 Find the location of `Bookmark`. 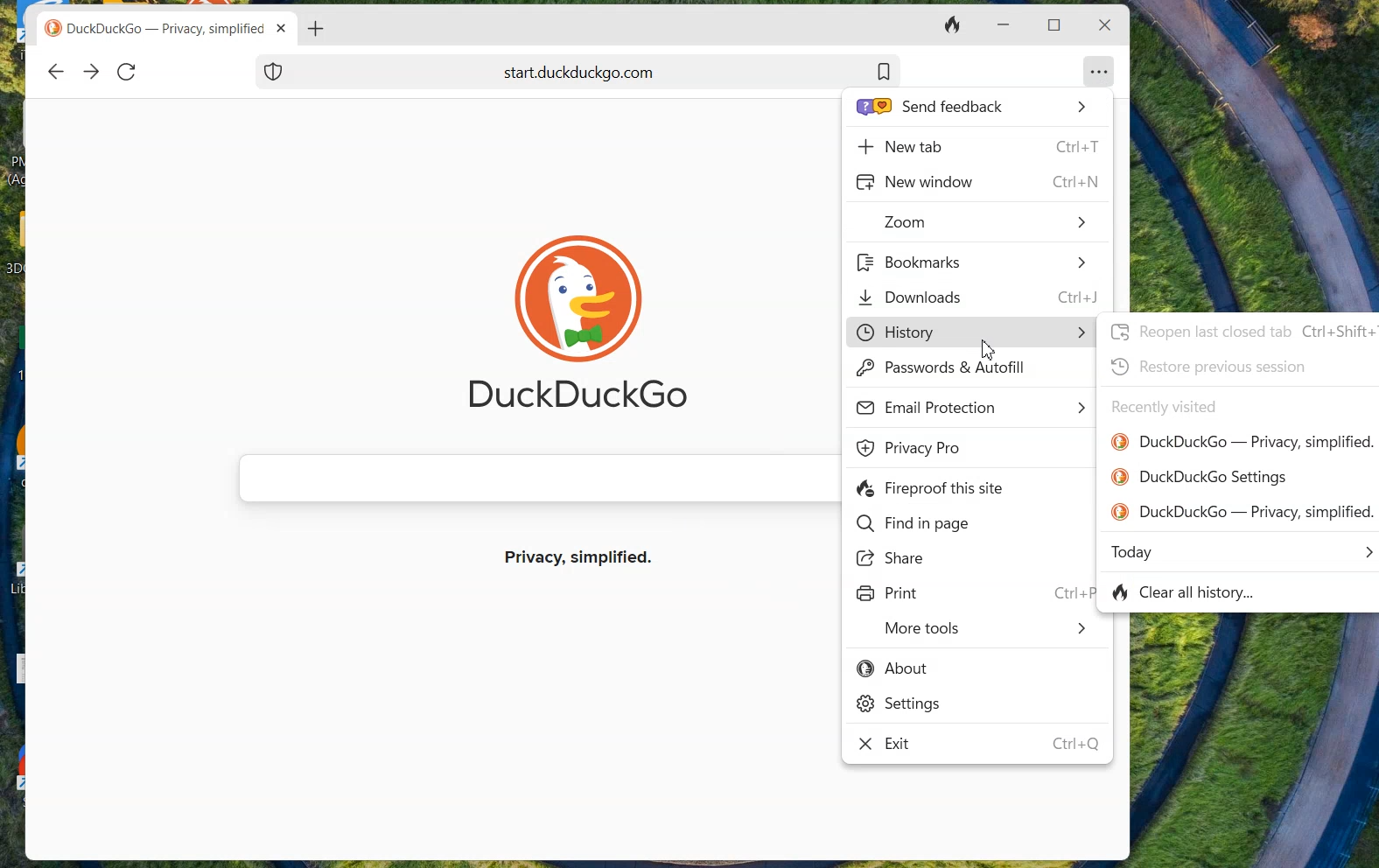

Bookmark is located at coordinates (884, 71).